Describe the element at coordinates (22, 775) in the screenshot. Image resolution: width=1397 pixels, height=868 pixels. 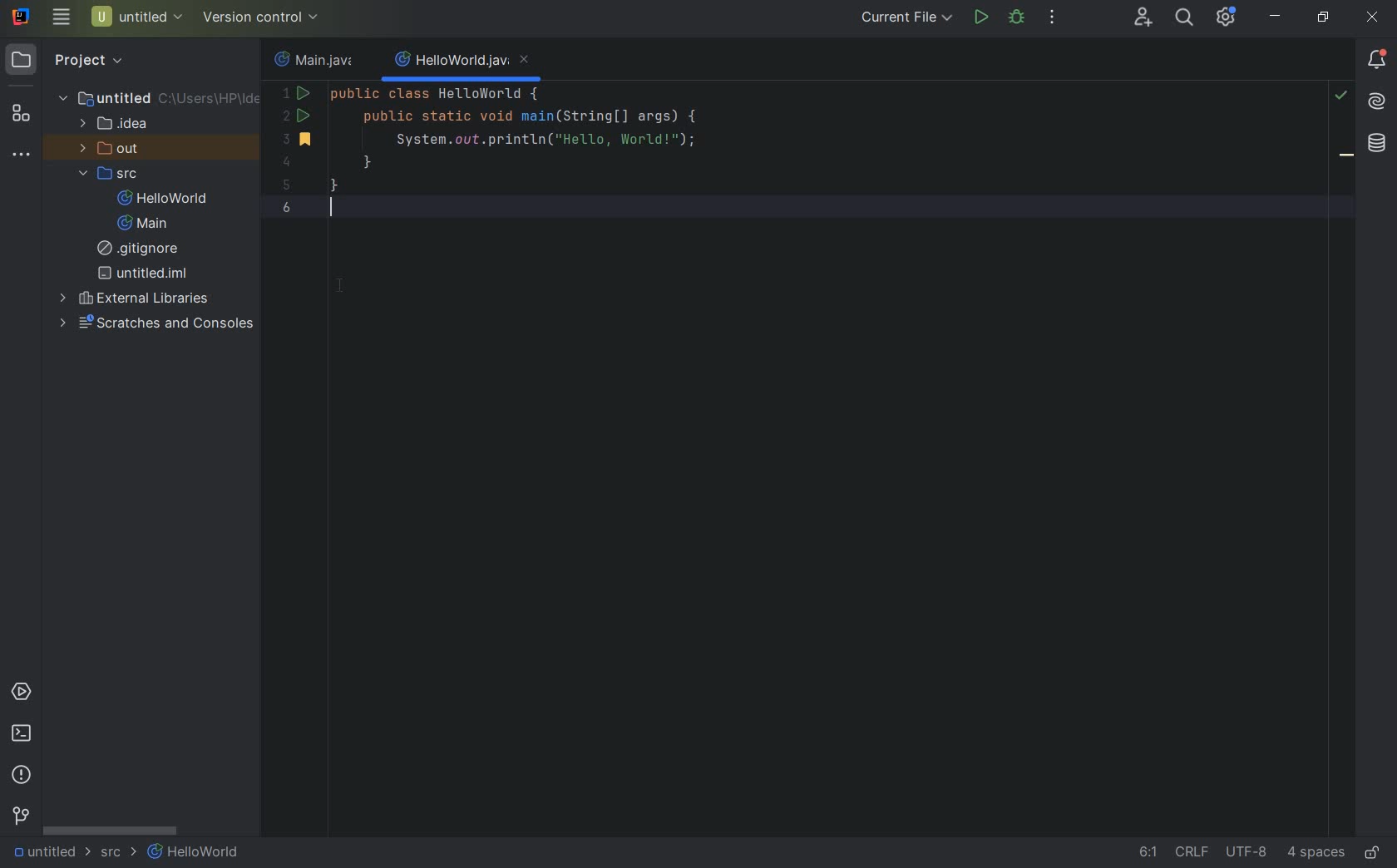
I see `problems` at that location.